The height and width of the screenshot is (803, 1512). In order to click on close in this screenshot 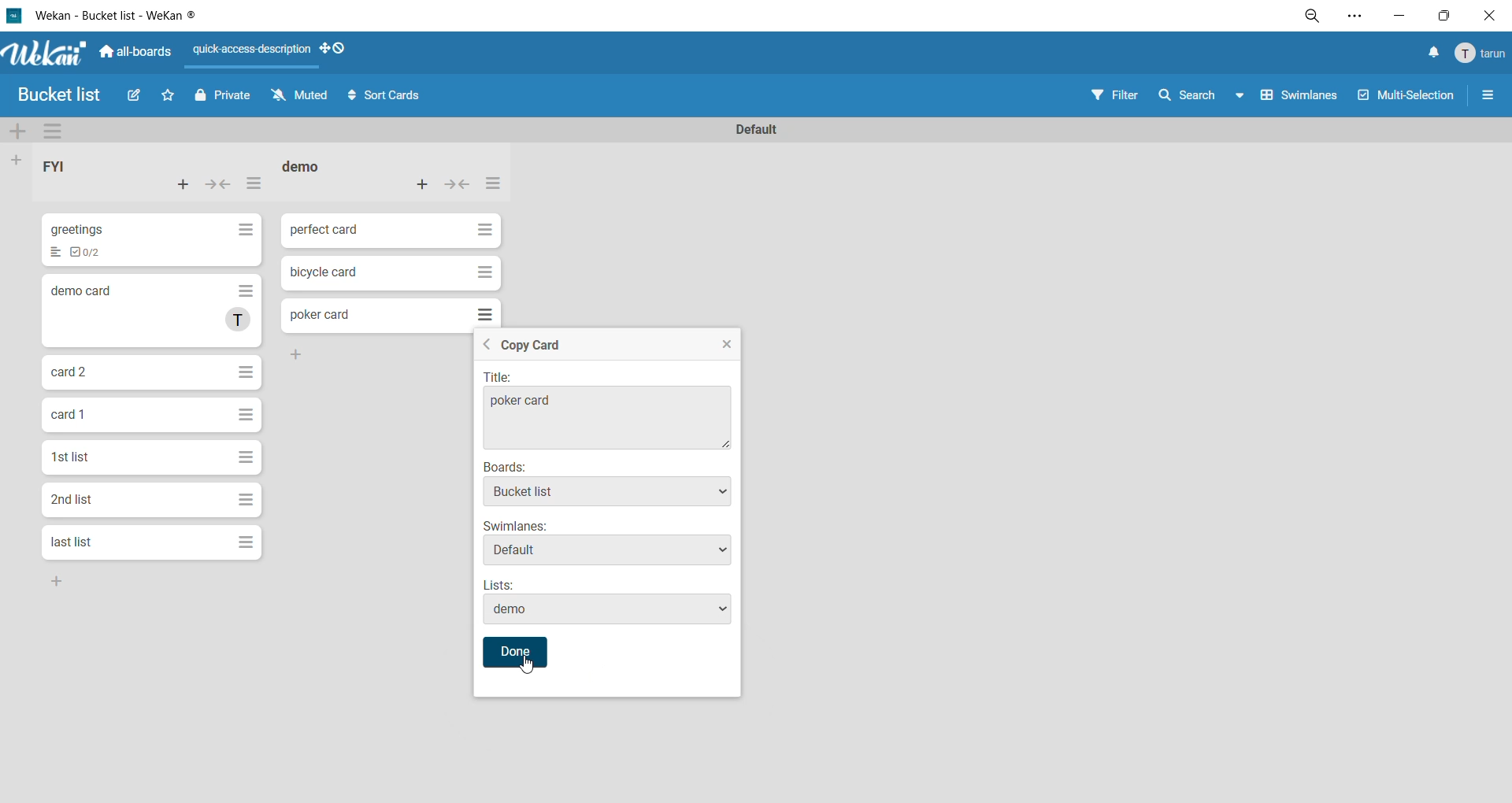, I will do `click(1487, 16)`.